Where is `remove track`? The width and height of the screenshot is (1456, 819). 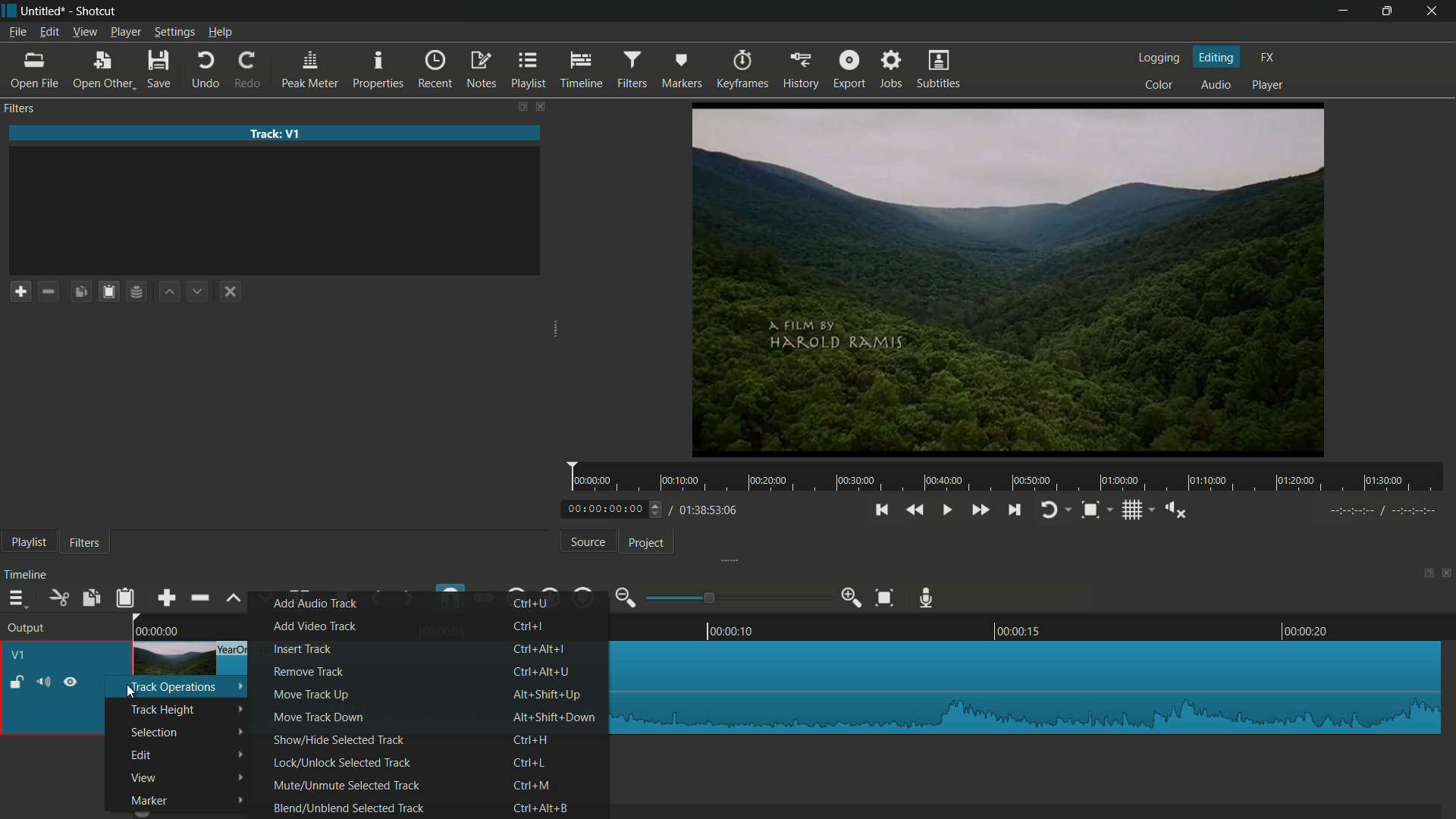
remove track is located at coordinates (309, 671).